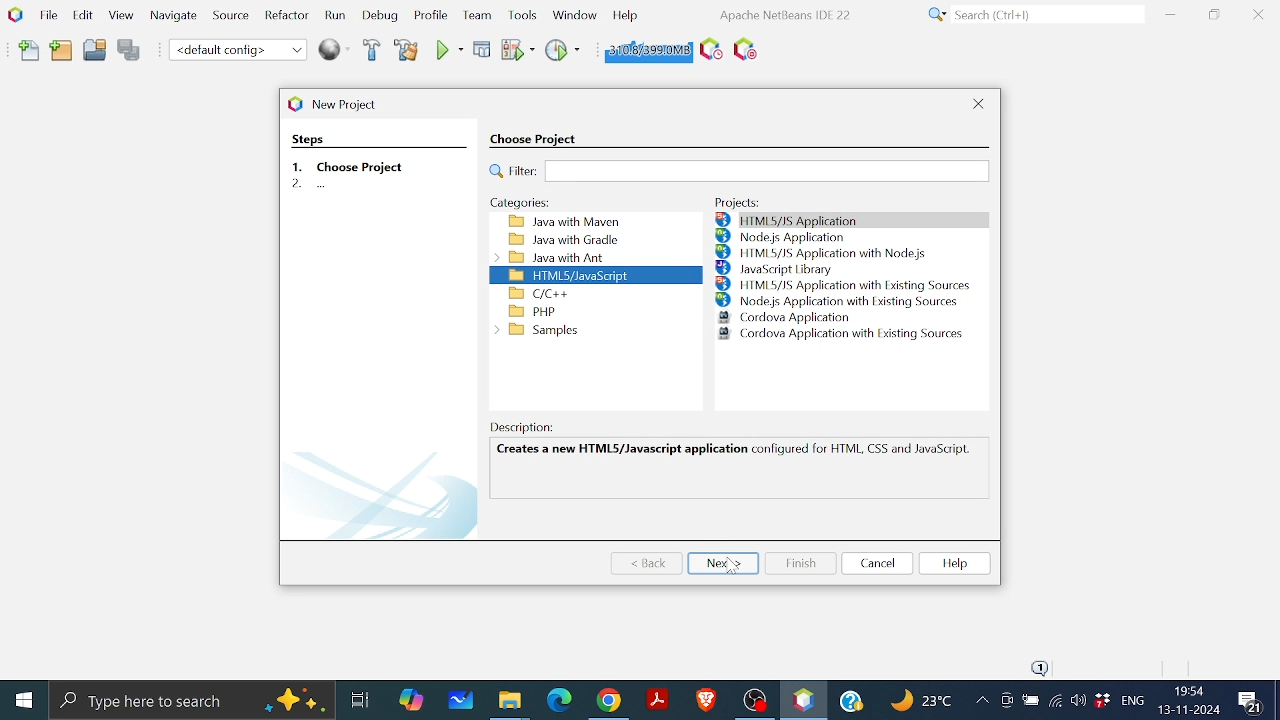 Image resolution: width=1280 pixels, height=720 pixels. I want to click on Meet now, so click(1006, 703).